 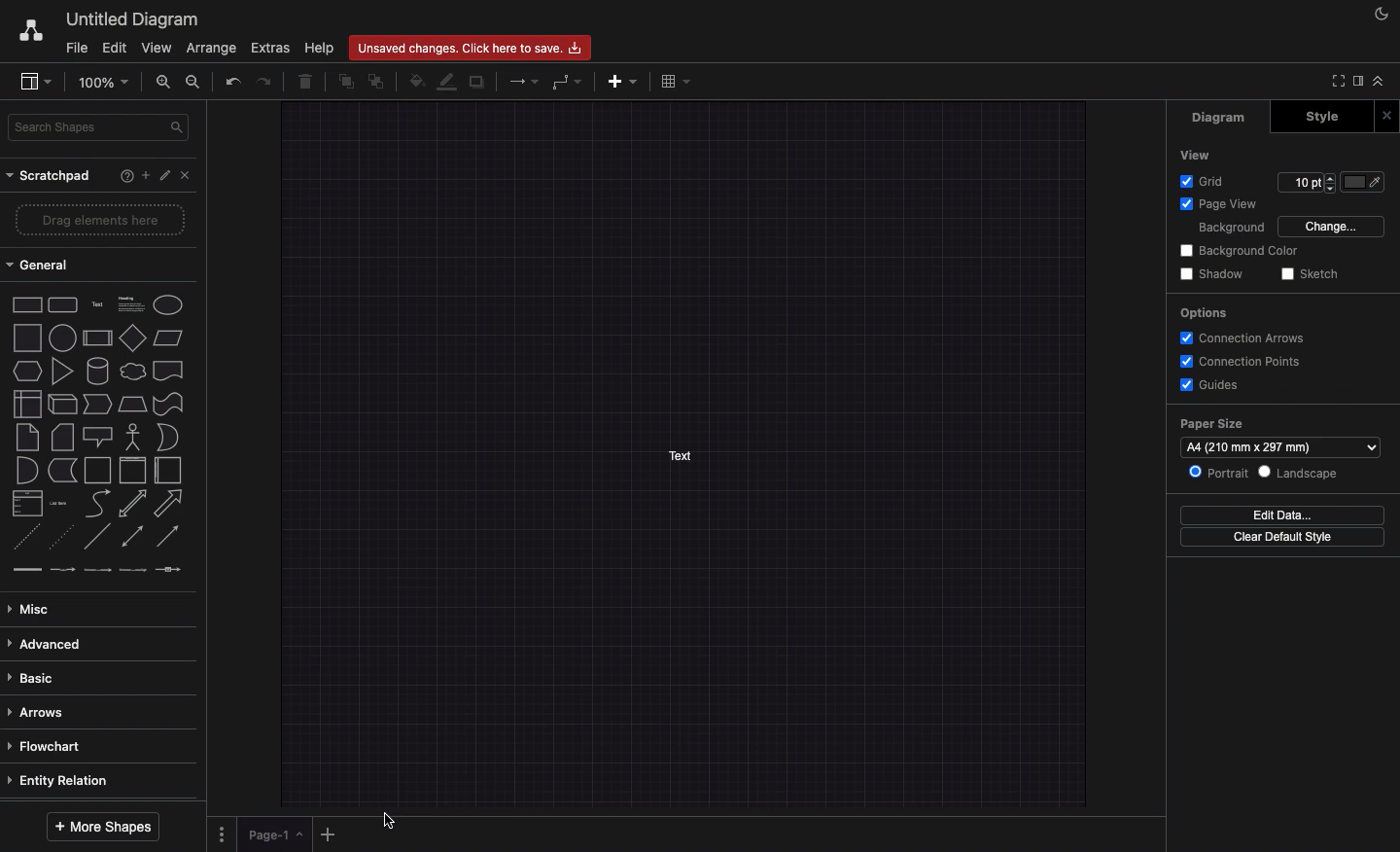 What do you see at coordinates (124, 175) in the screenshot?
I see `Help` at bounding box center [124, 175].